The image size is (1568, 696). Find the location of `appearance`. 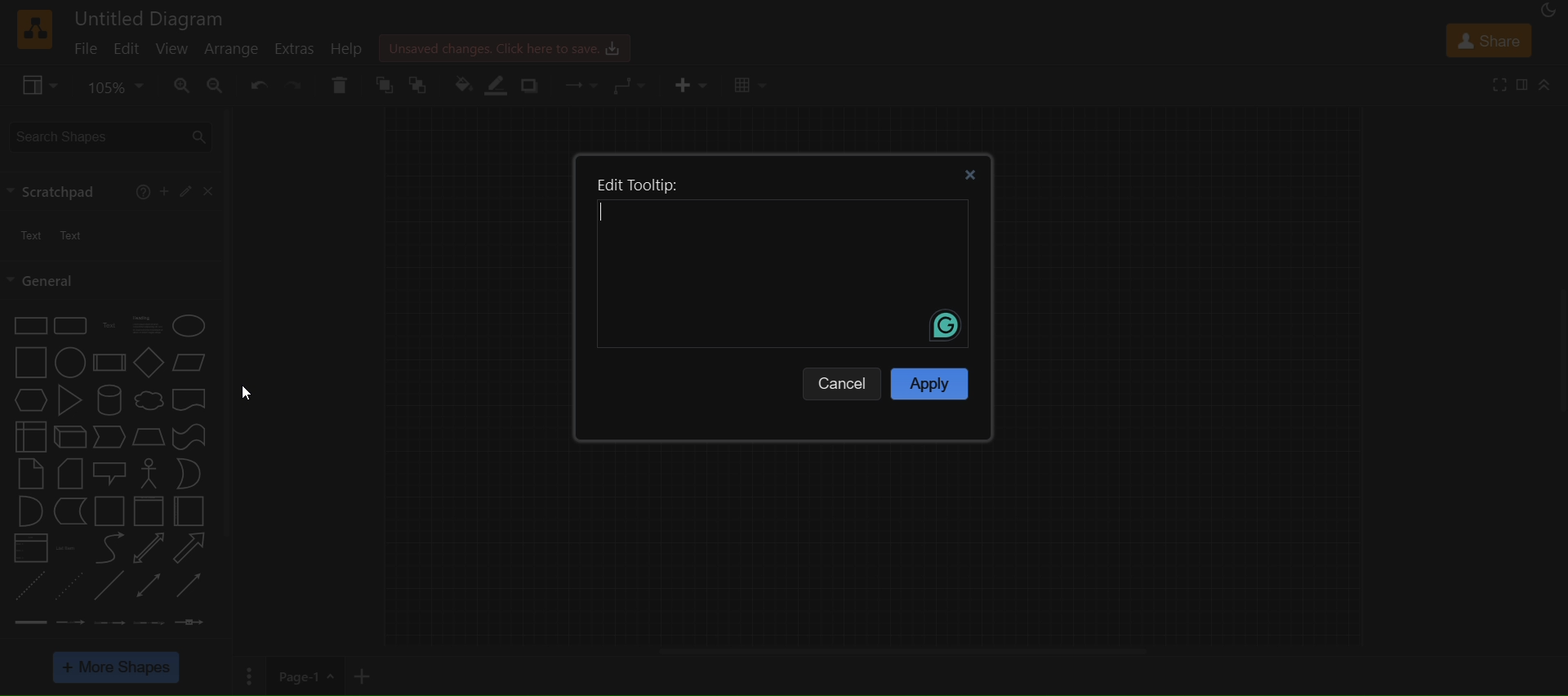

appearance is located at coordinates (1547, 11).